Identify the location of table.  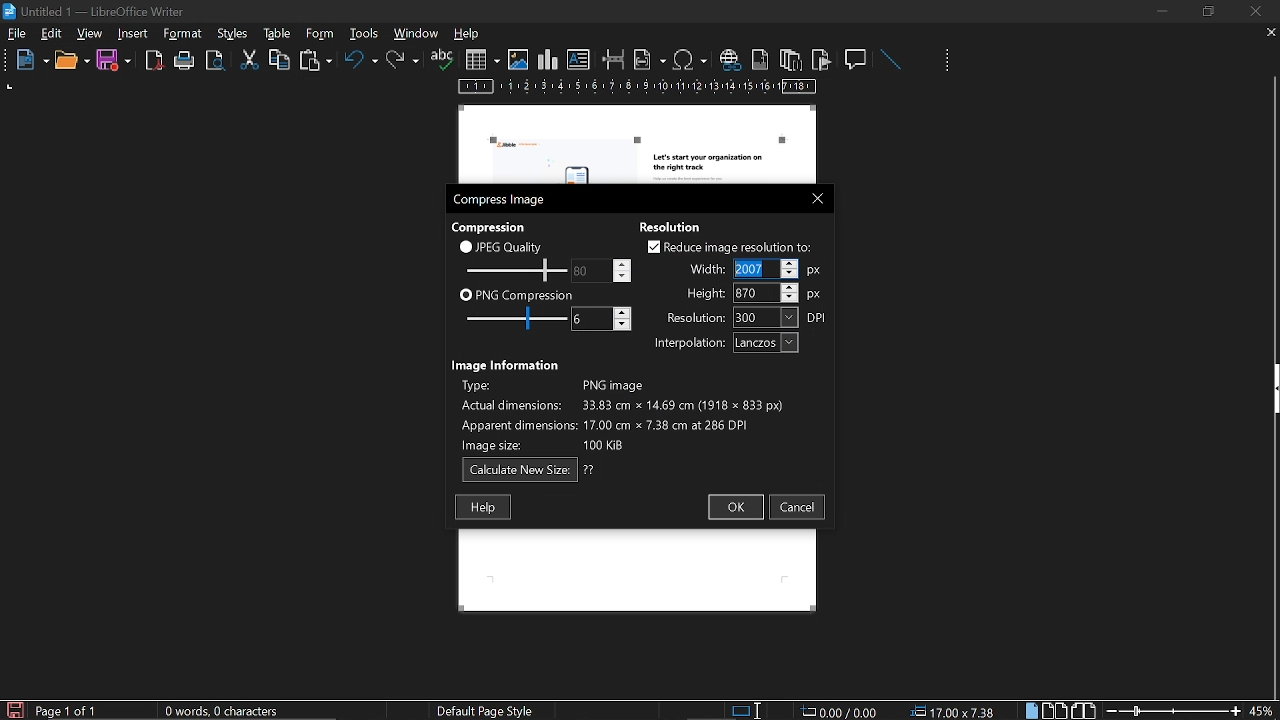
(319, 33).